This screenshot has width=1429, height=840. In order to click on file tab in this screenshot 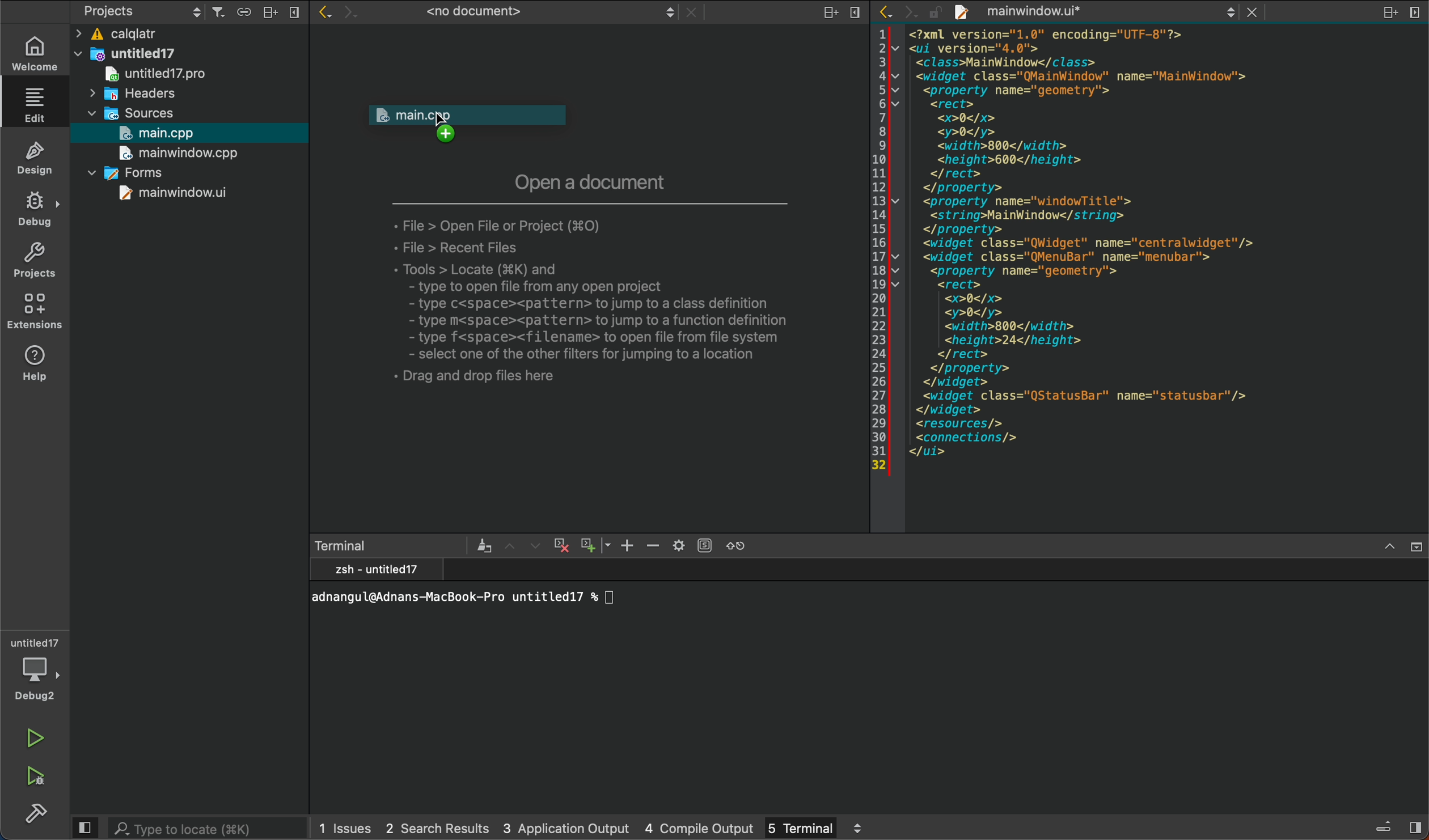, I will do `click(1099, 13)`.